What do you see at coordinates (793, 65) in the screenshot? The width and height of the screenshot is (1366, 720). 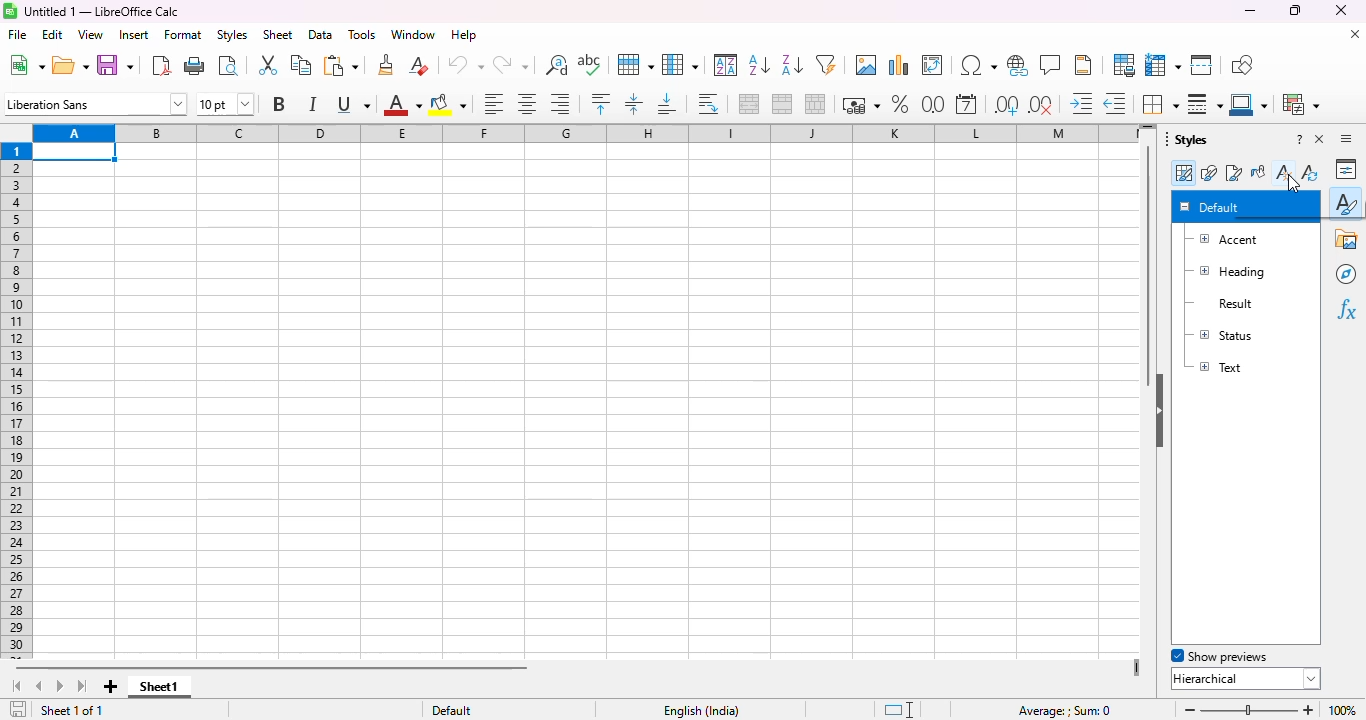 I see `sort descending` at bounding box center [793, 65].